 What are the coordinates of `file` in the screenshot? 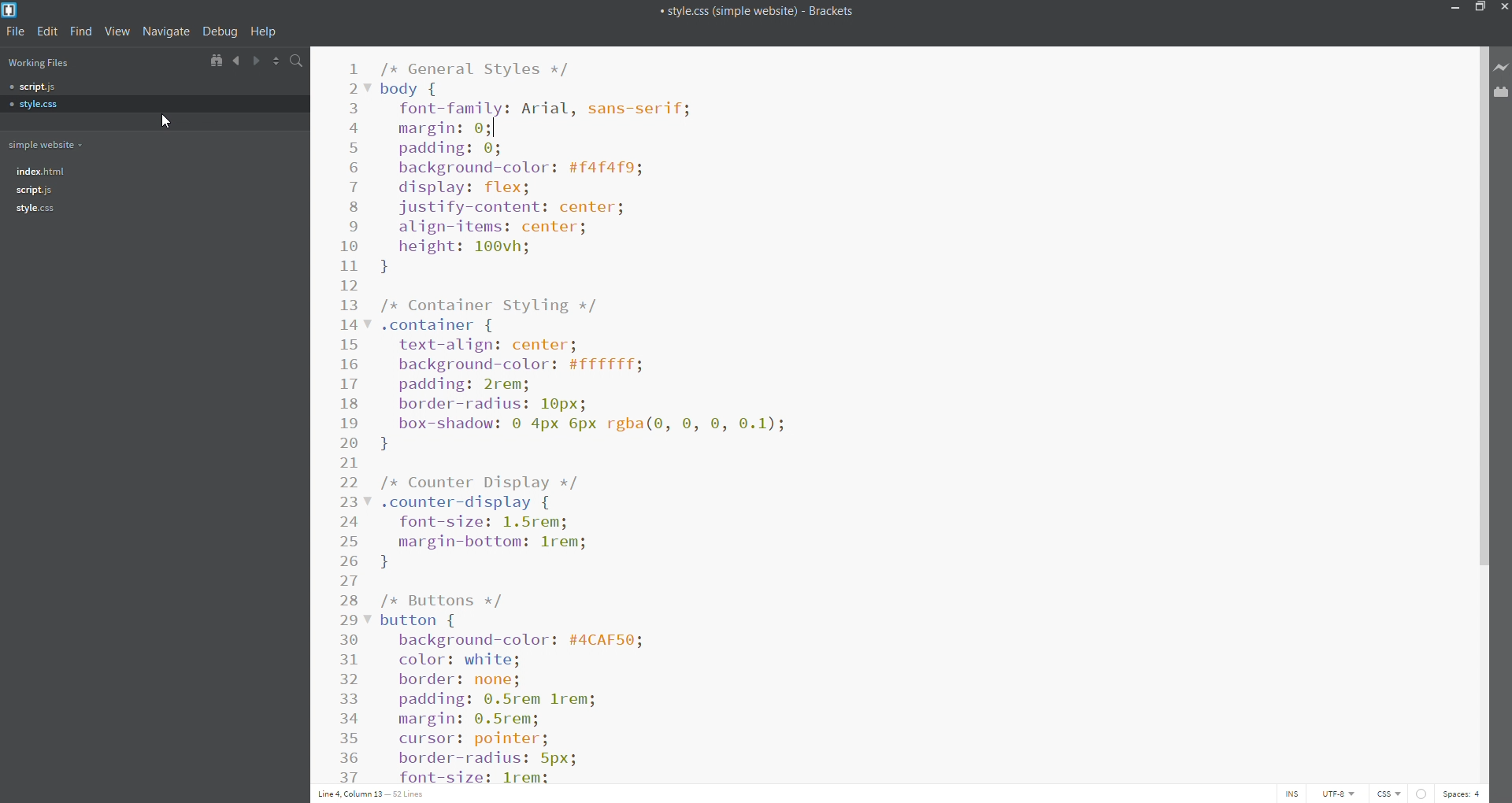 It's located at (18, 32).